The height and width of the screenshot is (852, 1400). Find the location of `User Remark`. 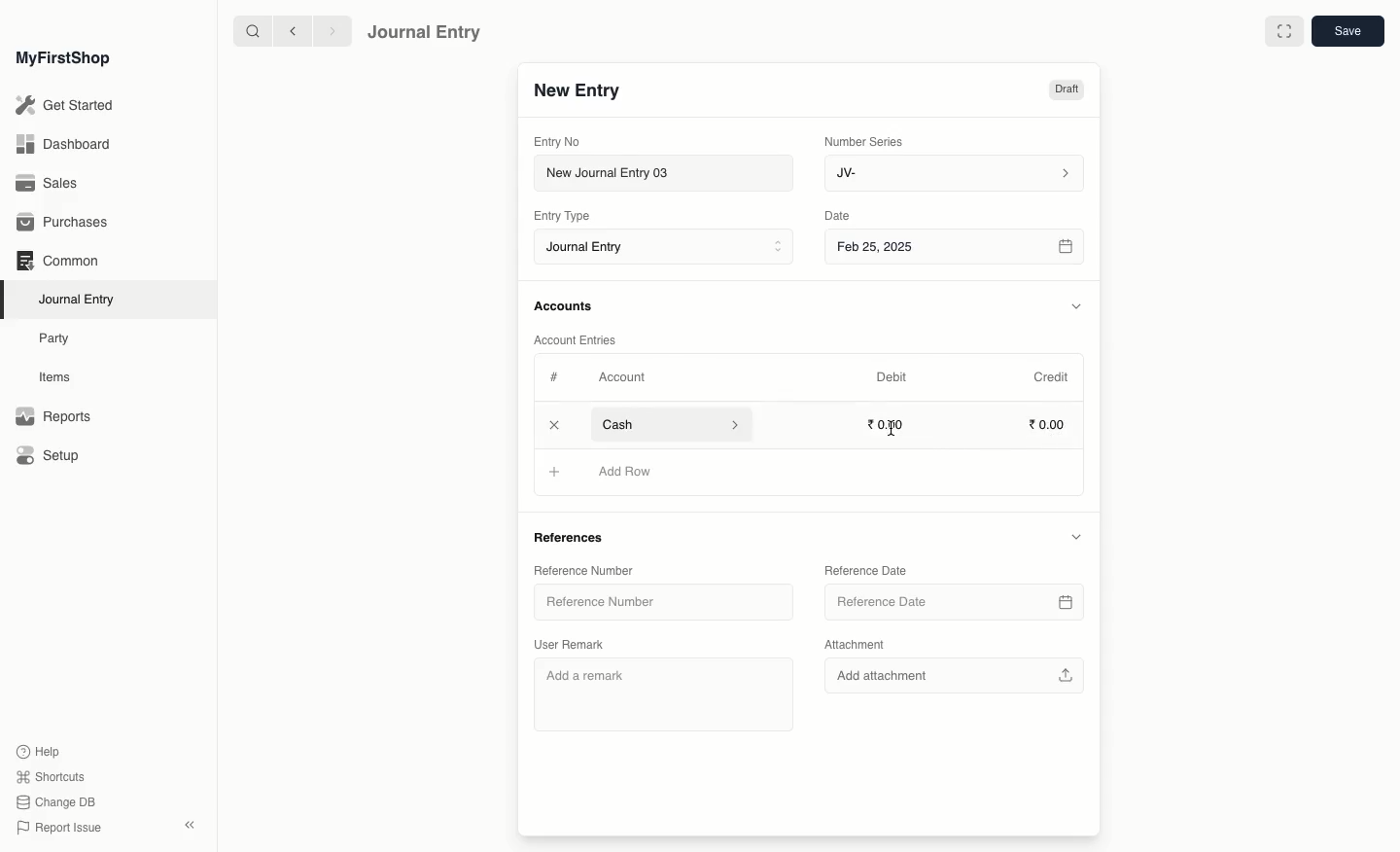

User Remark is located at coordinates (577, 645).